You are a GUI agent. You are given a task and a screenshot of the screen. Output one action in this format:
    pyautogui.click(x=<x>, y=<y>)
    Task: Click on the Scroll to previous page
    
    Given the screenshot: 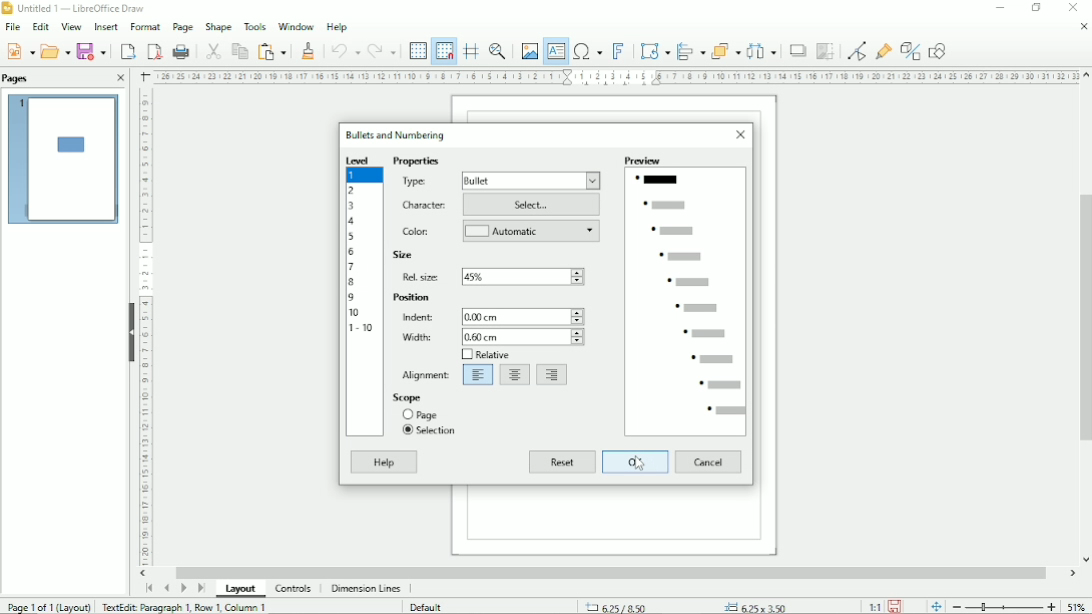 What is the action you would take?
    pyautogui.click(x=166, y=588)
    